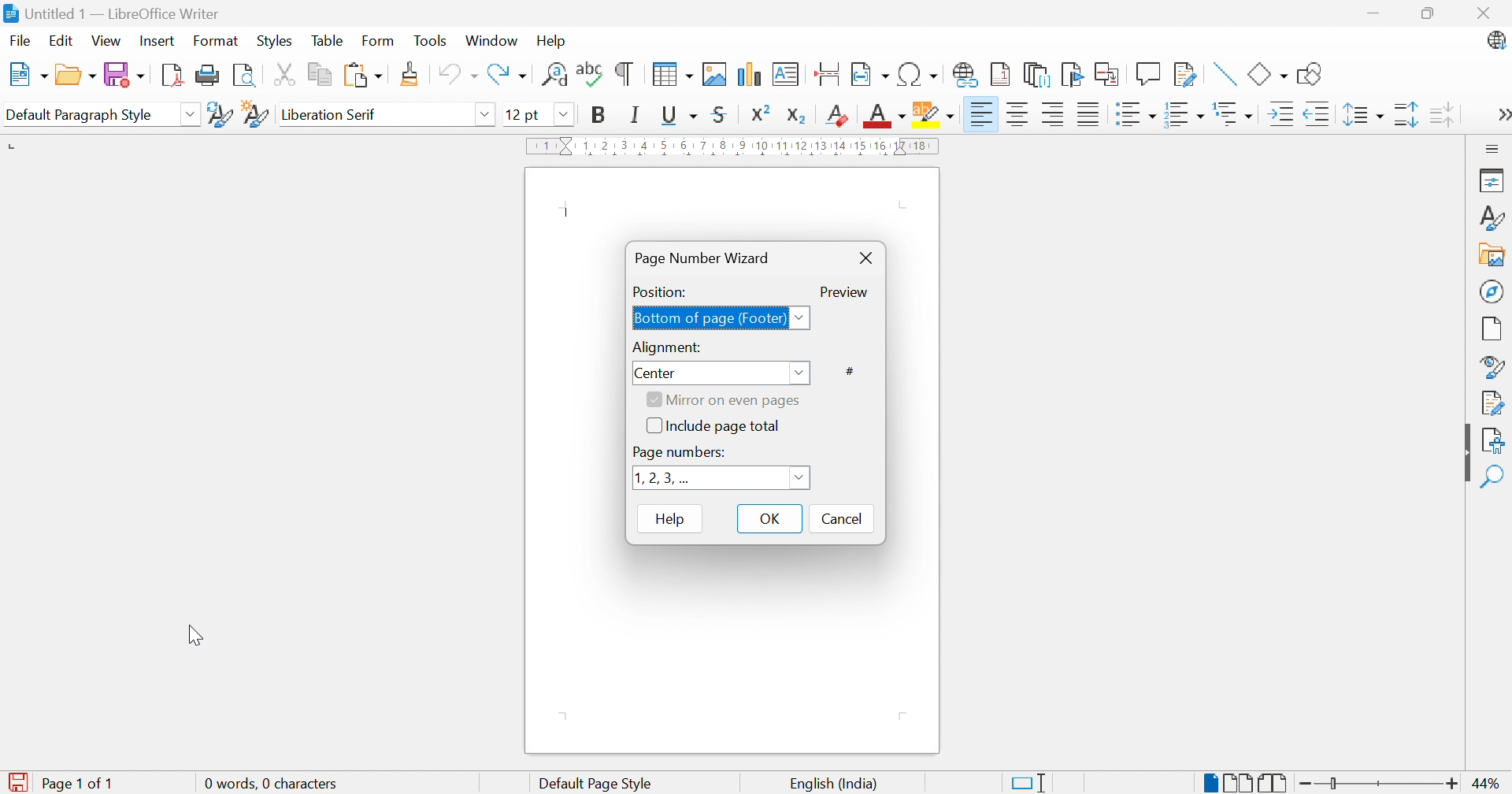 Image resolution: width=1512 pixels, height=794 pixels. I want to click on Form, so click(377, 41).